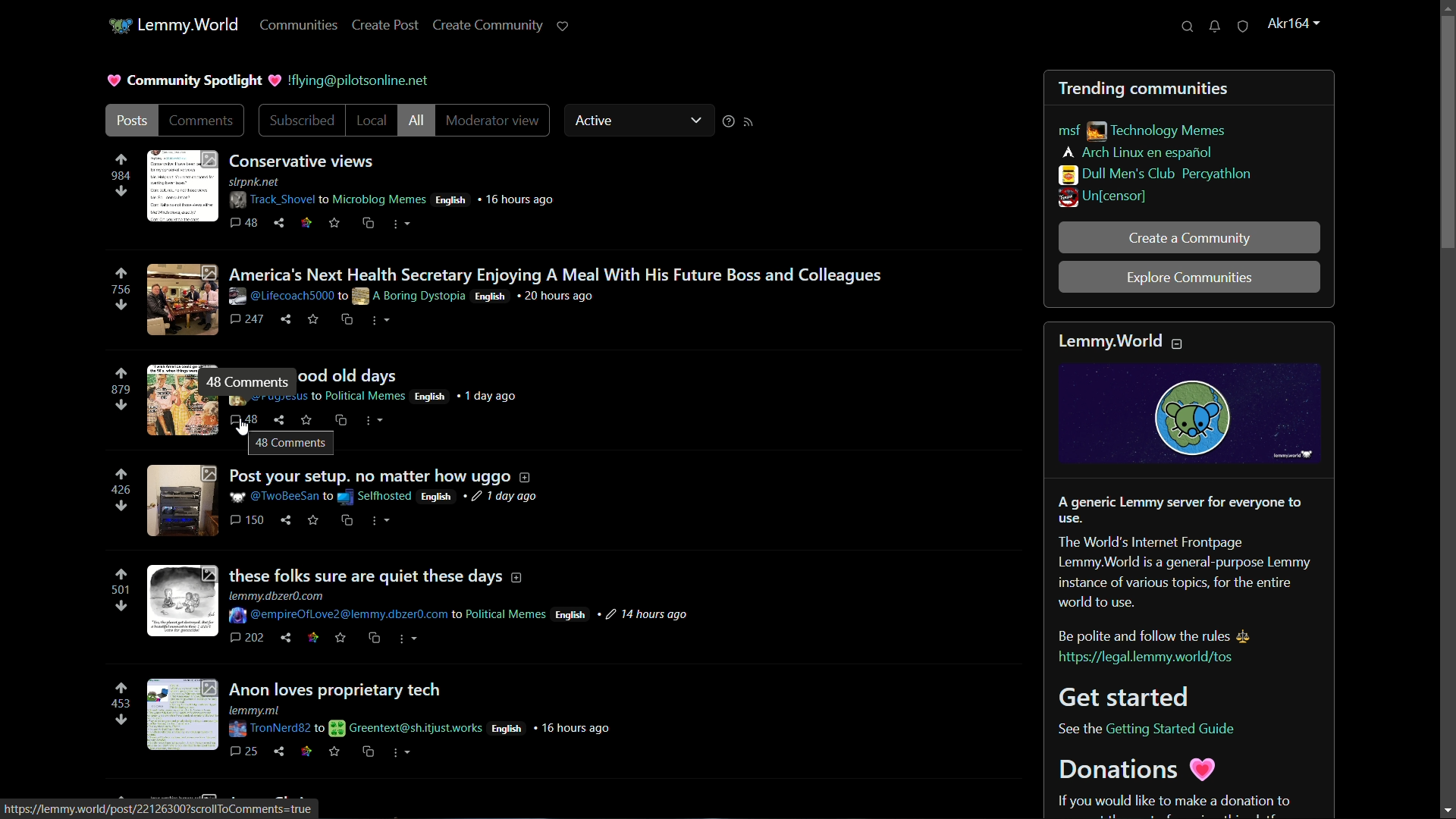  What do you see at coordinates (121, 702) in the screenshot?
I see `number of votes` at bounding box center [121, 702].